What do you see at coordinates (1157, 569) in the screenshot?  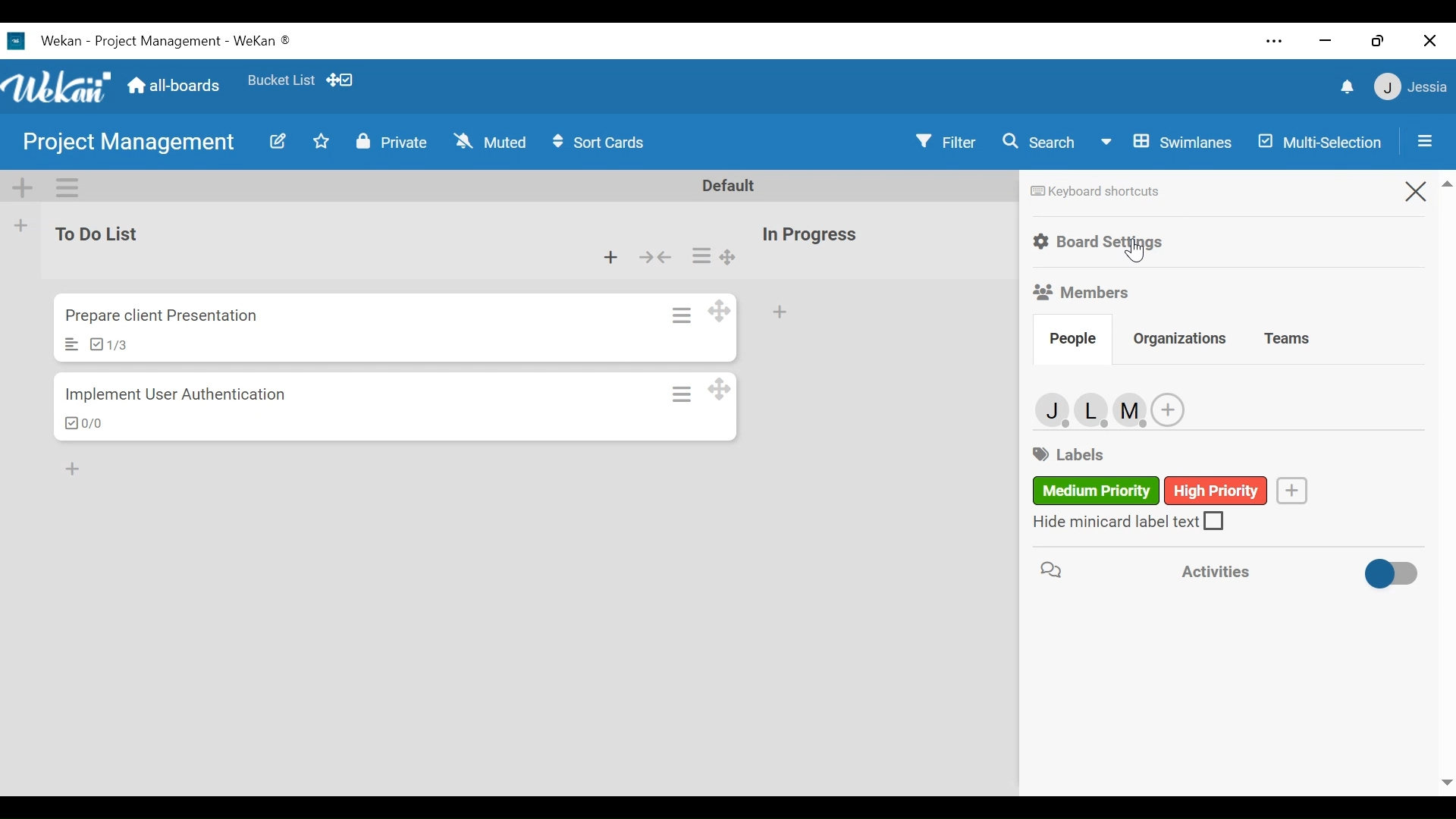 I see `Activities` at bounding box center [1157, 569].